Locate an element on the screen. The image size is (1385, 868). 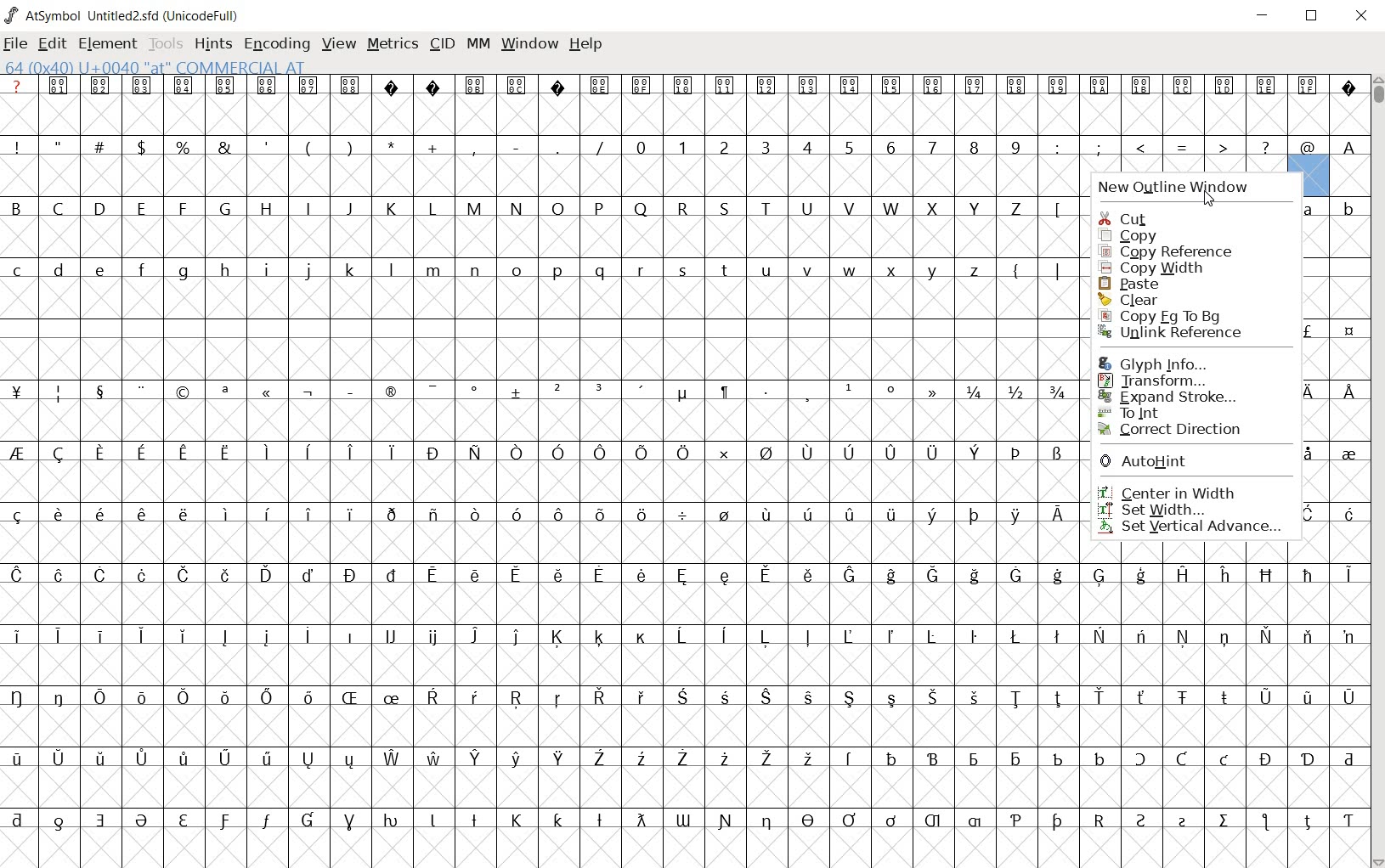
CLEAR is located at coordinates (1130, 302).